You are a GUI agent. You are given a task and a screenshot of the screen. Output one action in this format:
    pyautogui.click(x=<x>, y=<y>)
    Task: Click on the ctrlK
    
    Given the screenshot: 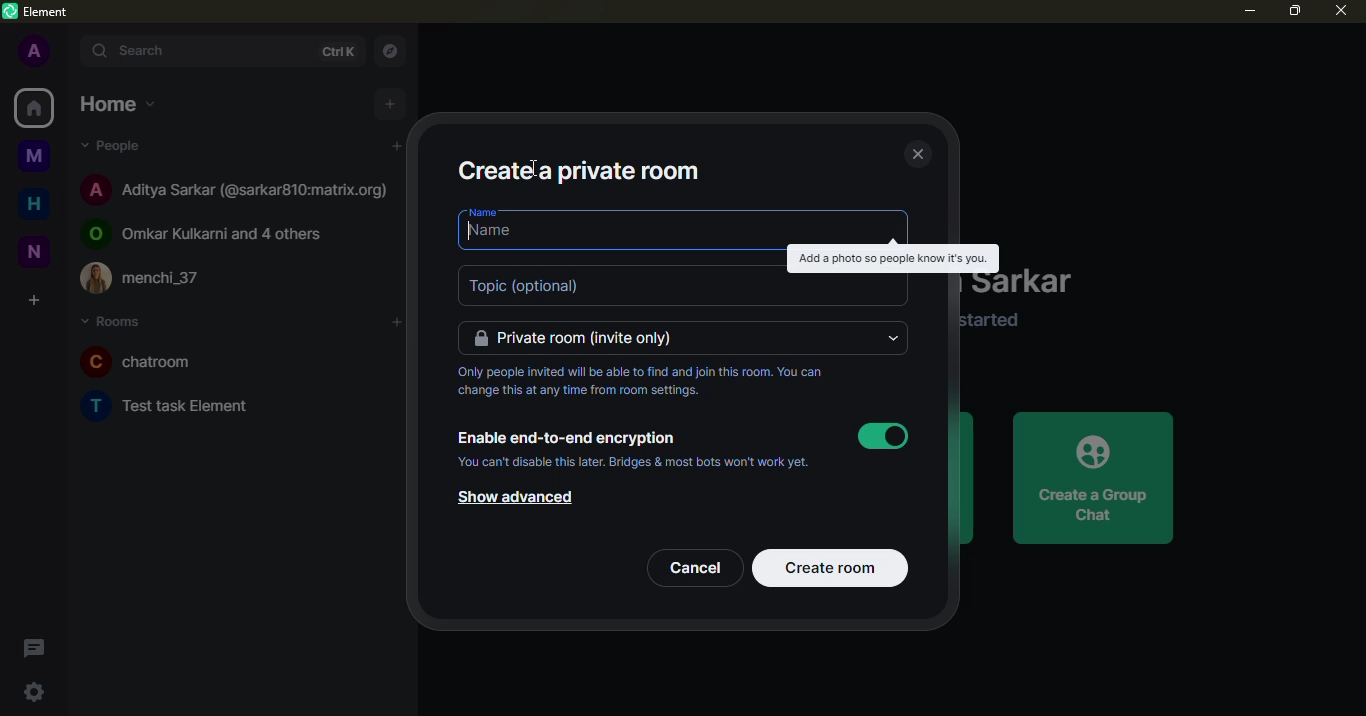 What is the action you would take?
    pyautogui.click(x=337, y=52)
    